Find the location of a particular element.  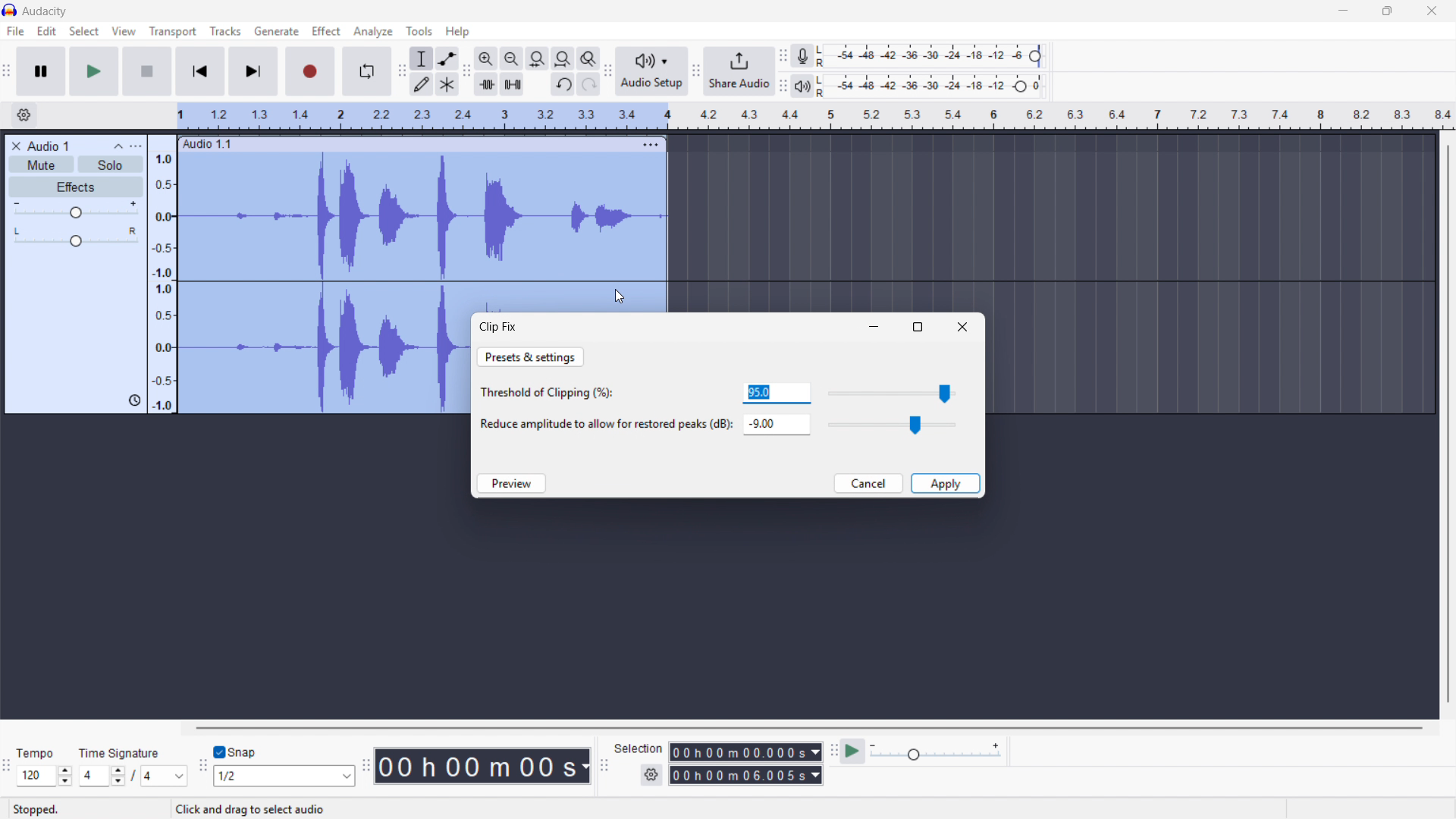

Timeline is located at coordinates (816, 116).